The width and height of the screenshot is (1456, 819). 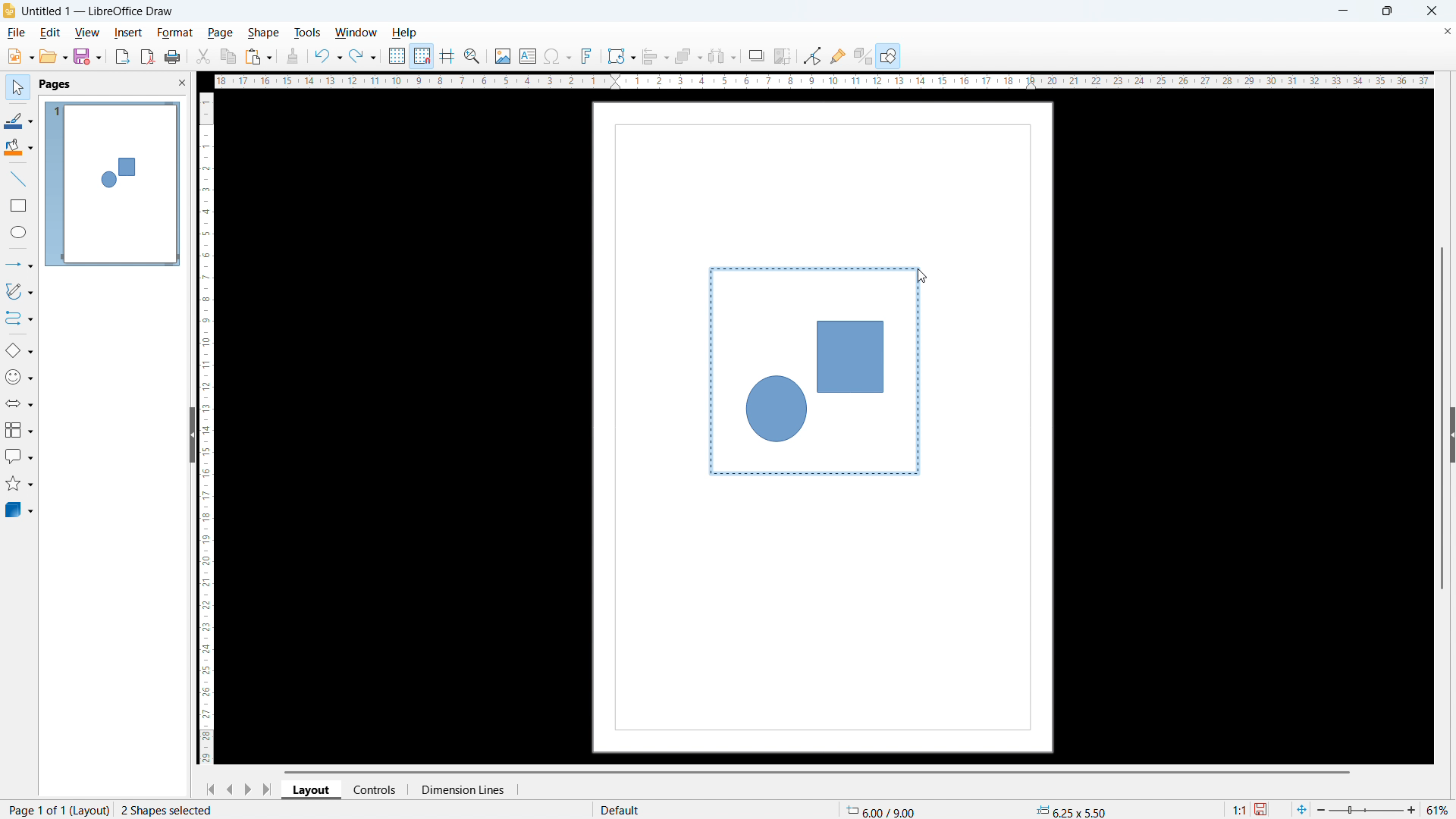 What do you see at coordinates (1389, 11) in the screenshot?
I see `maximize` at bounding box center [1389, 11].